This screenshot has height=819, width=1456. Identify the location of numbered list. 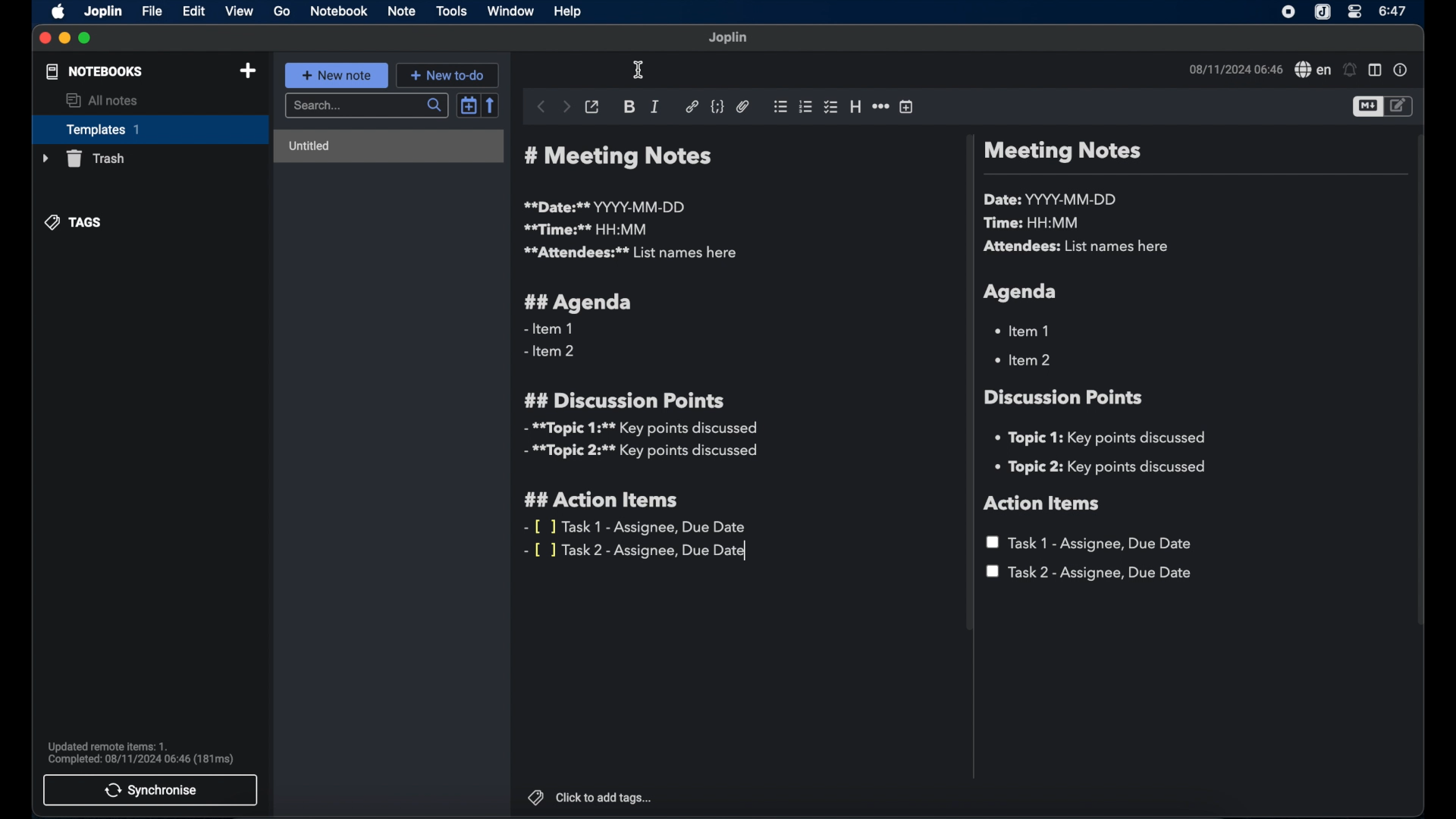
(805, 107).